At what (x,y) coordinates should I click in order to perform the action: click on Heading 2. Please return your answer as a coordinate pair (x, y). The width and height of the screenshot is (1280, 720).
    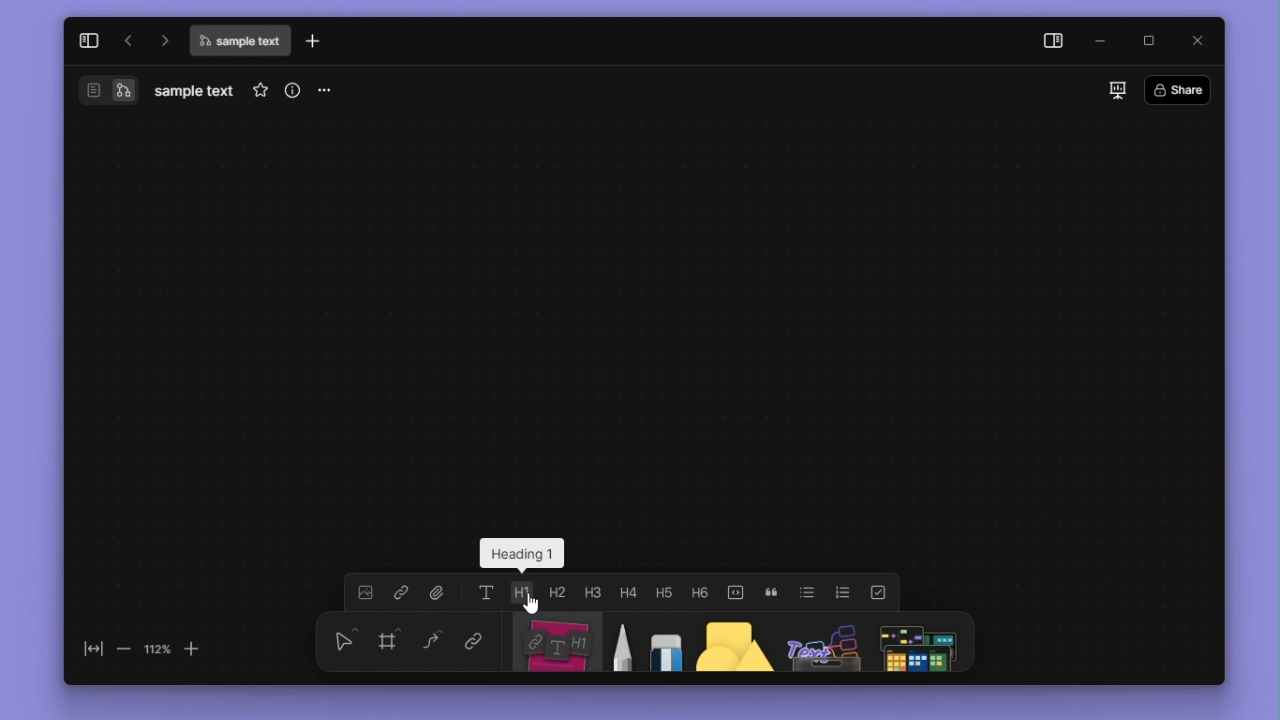
    Looking at the image, I should click on (556, 592).